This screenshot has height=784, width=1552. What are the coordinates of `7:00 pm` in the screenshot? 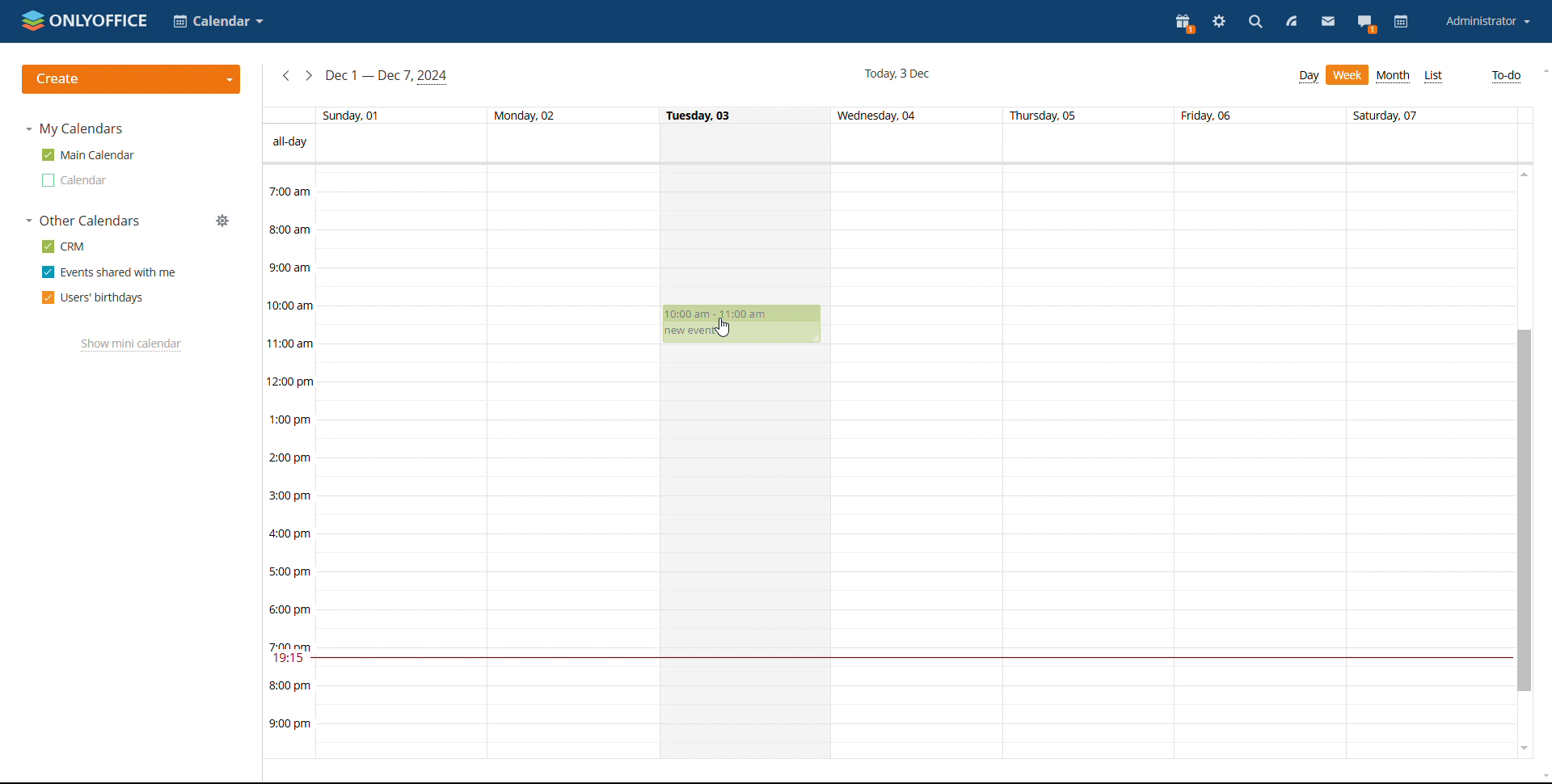 It's located at (290, 645).